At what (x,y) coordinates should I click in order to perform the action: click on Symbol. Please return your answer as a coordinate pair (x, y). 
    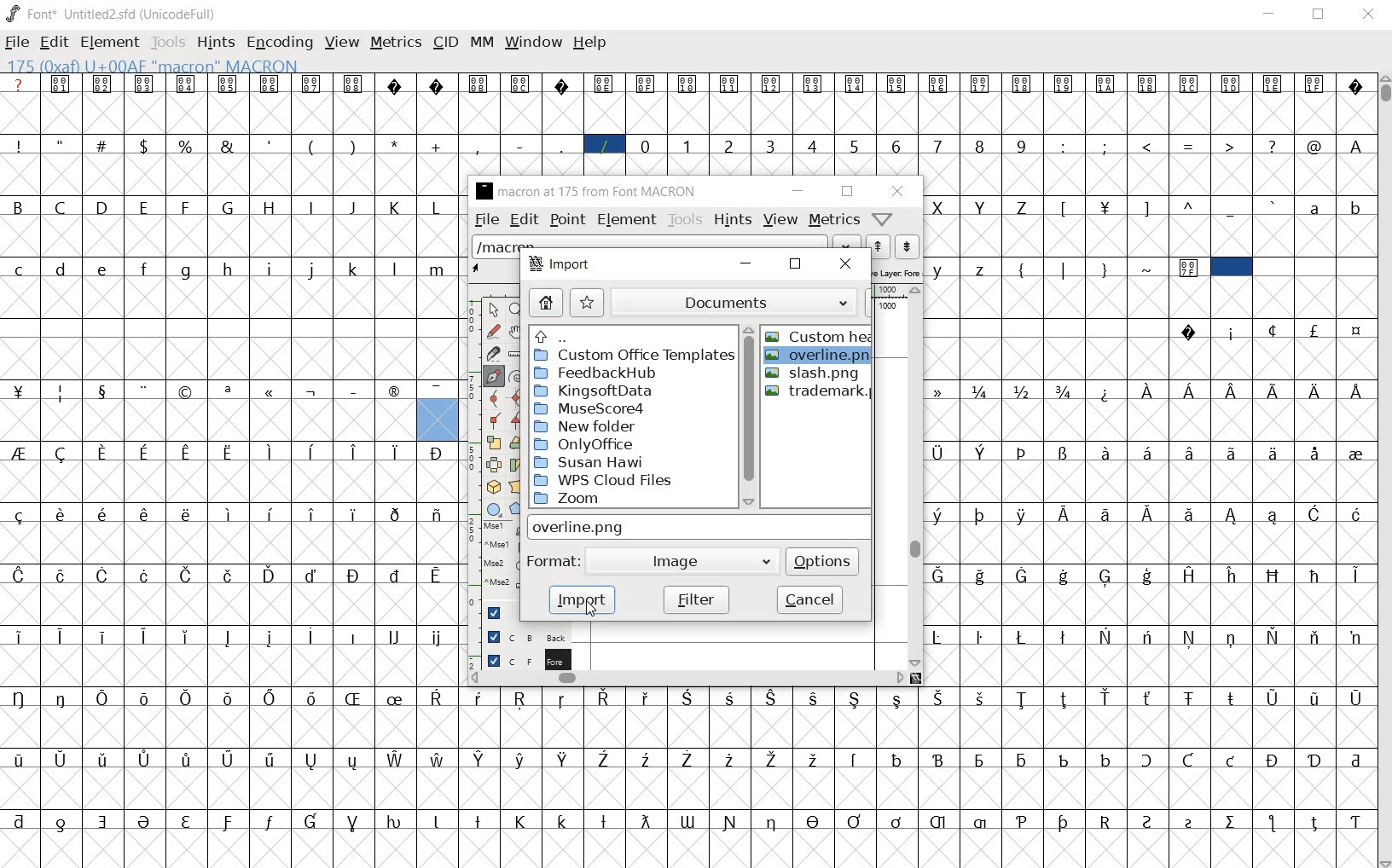
    Looking at the image, I should click on (979, 823).